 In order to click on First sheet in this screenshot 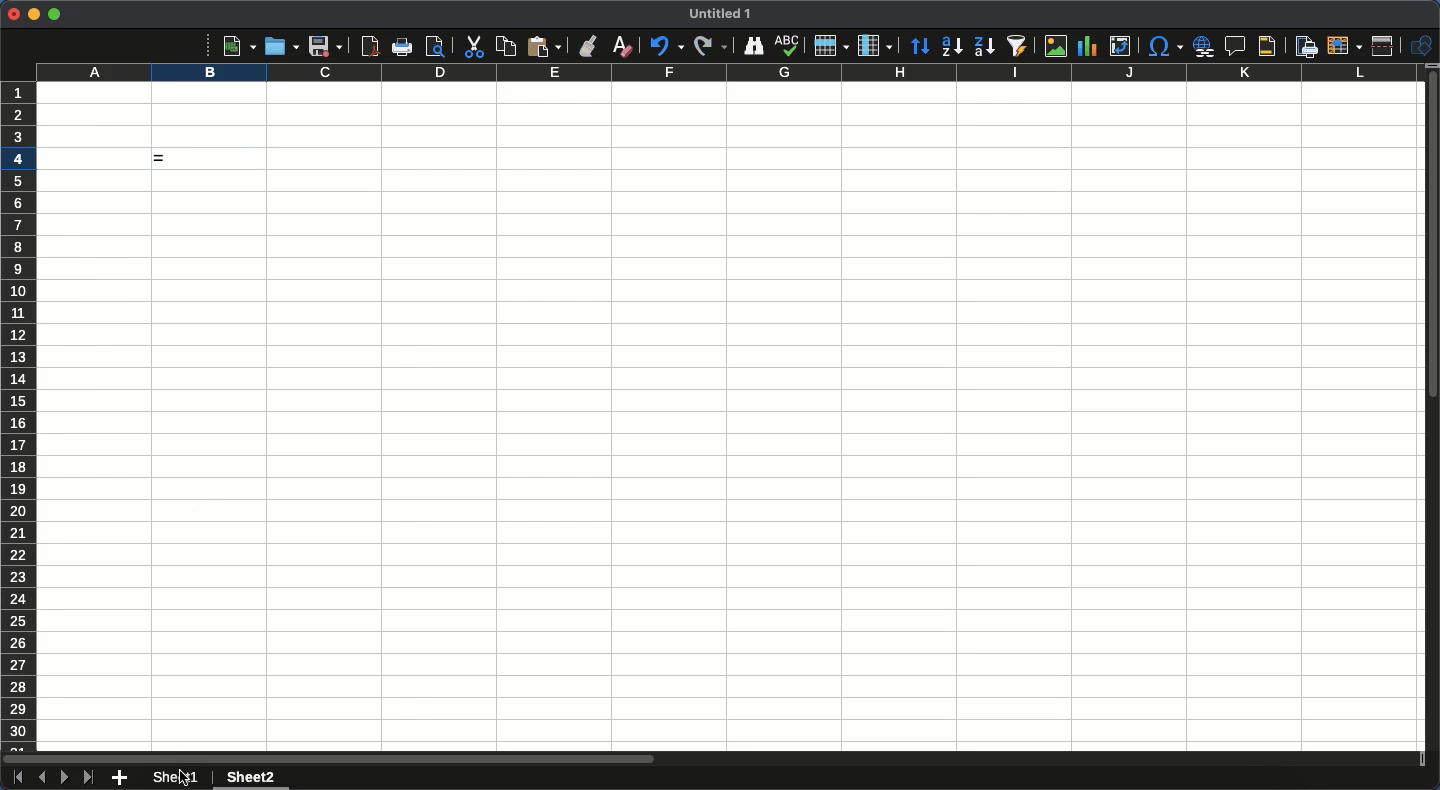, I will do `click(16, 778)`.